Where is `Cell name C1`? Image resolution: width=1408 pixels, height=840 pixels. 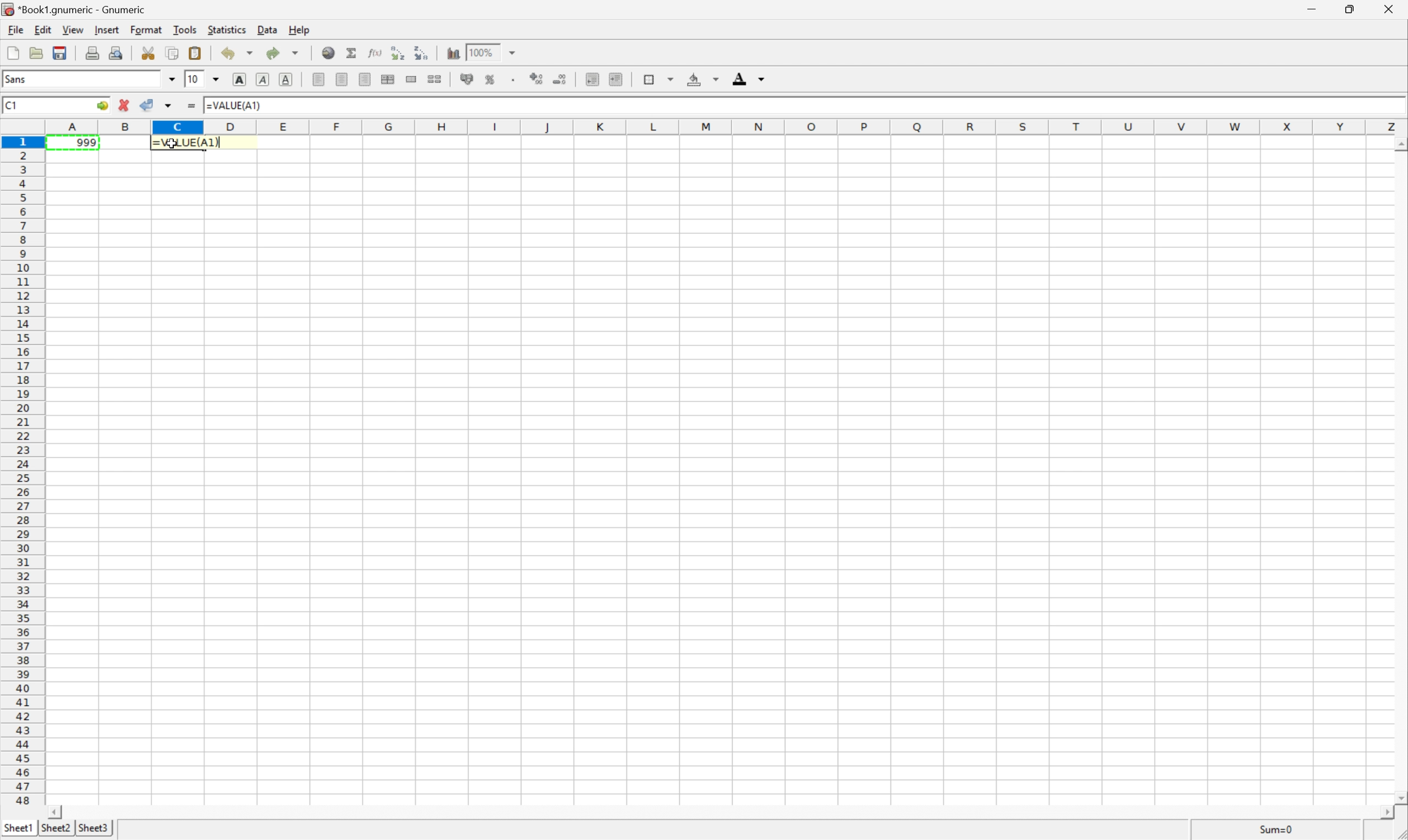
Cell name C1 is located at coordinates (45, 104).